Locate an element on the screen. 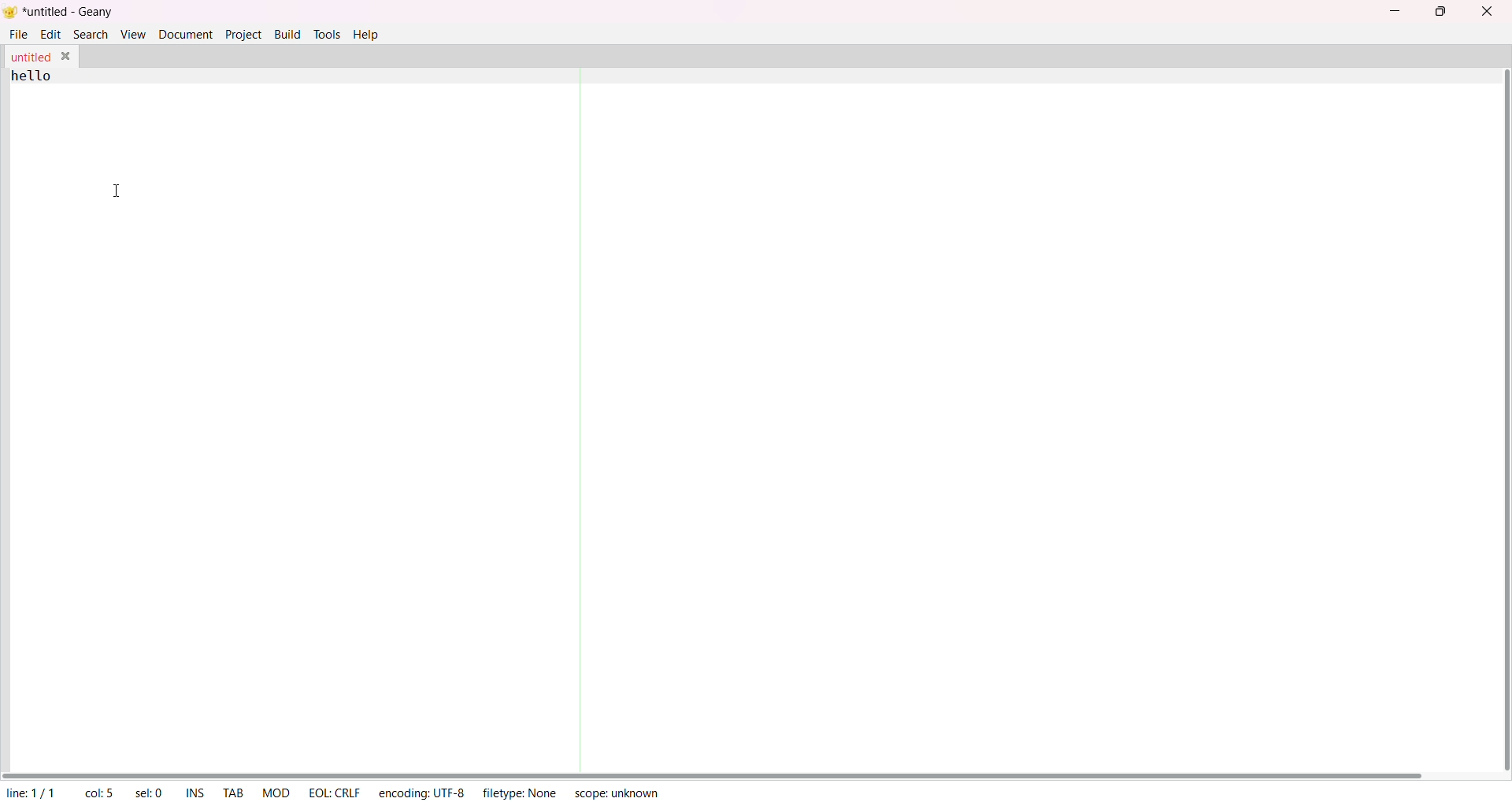 The image size is (1512, 802). document is located at coordinates (185, 33).